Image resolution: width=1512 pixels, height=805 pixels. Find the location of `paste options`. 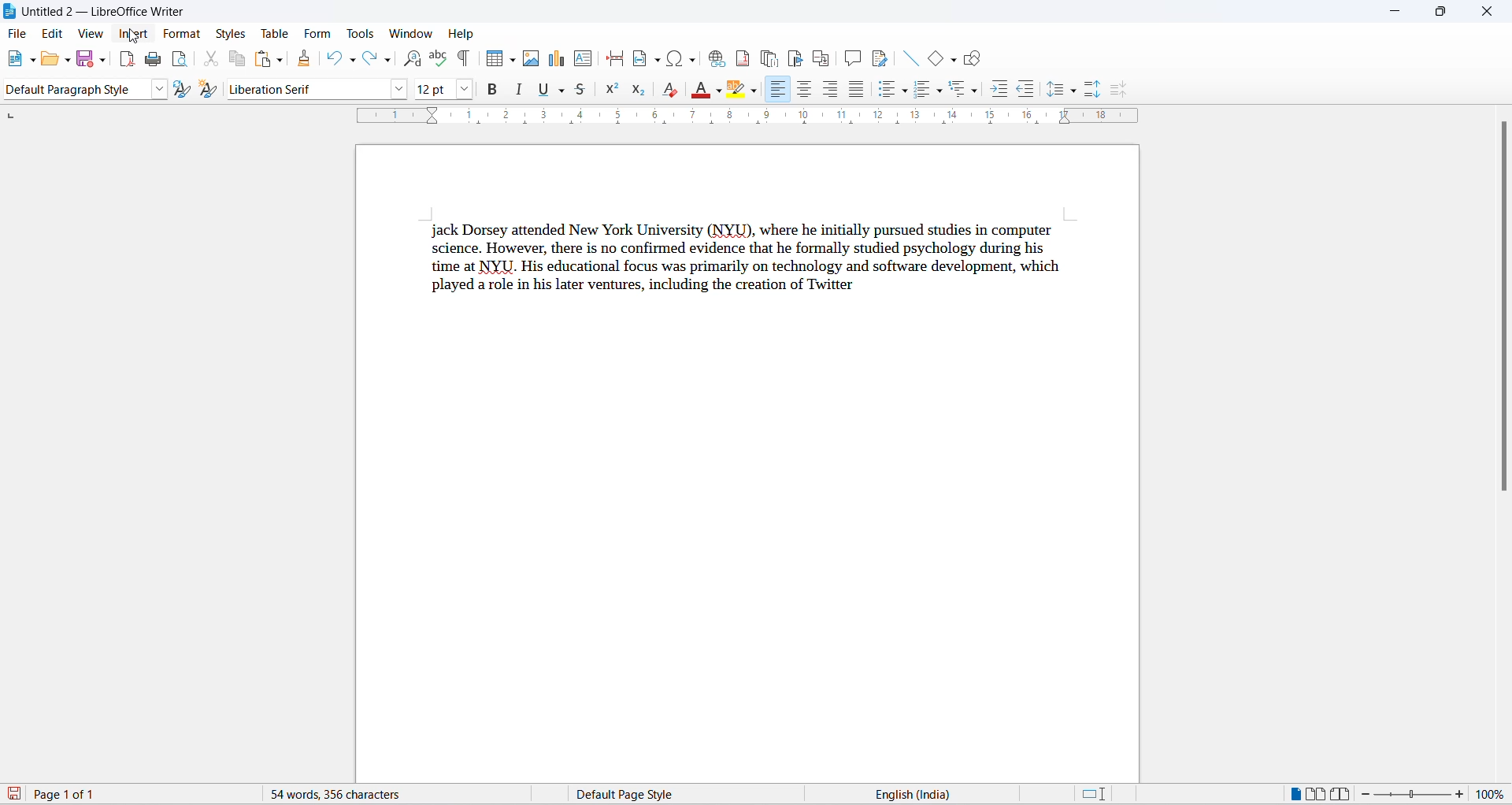

paste options is located at coordinates (279, 61).